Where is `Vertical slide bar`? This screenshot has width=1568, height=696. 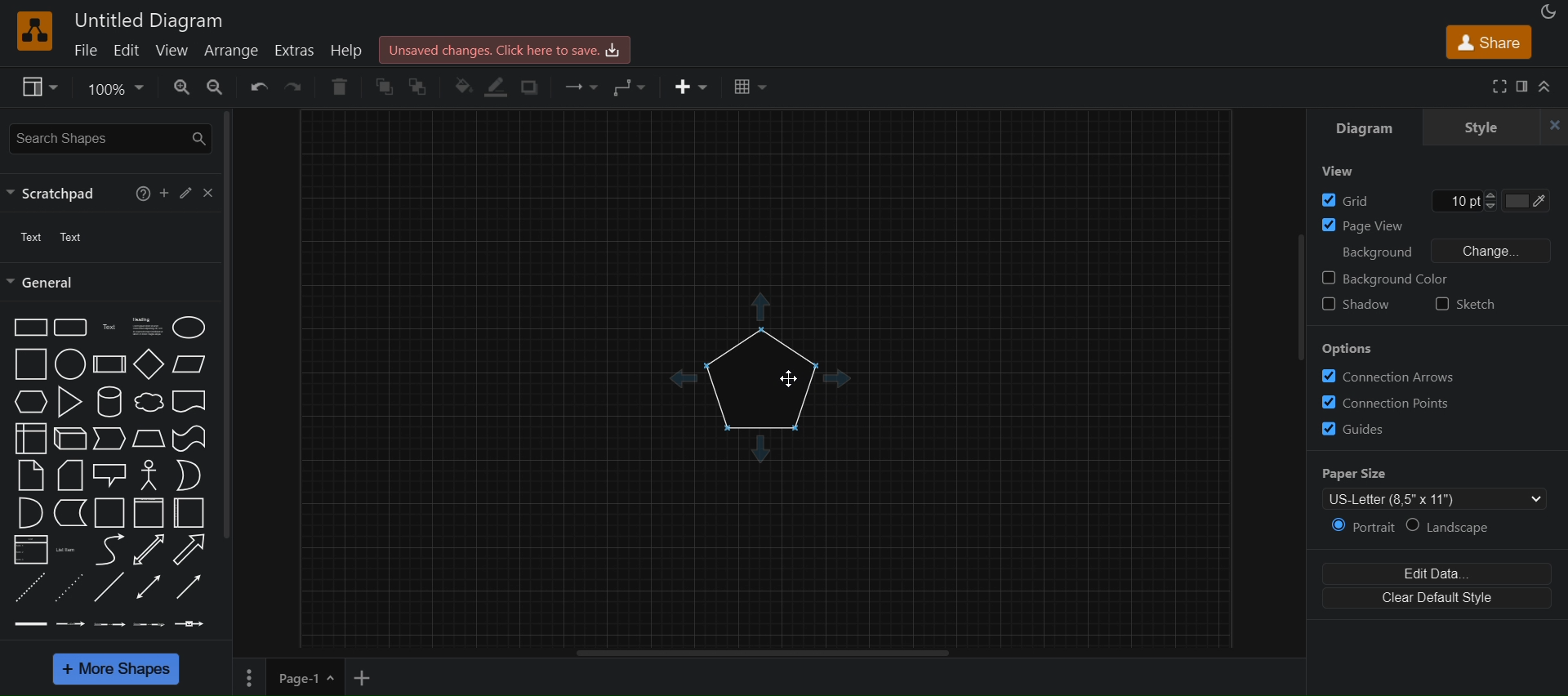
Vertical slide bar is located at coordinates (1299, 297).